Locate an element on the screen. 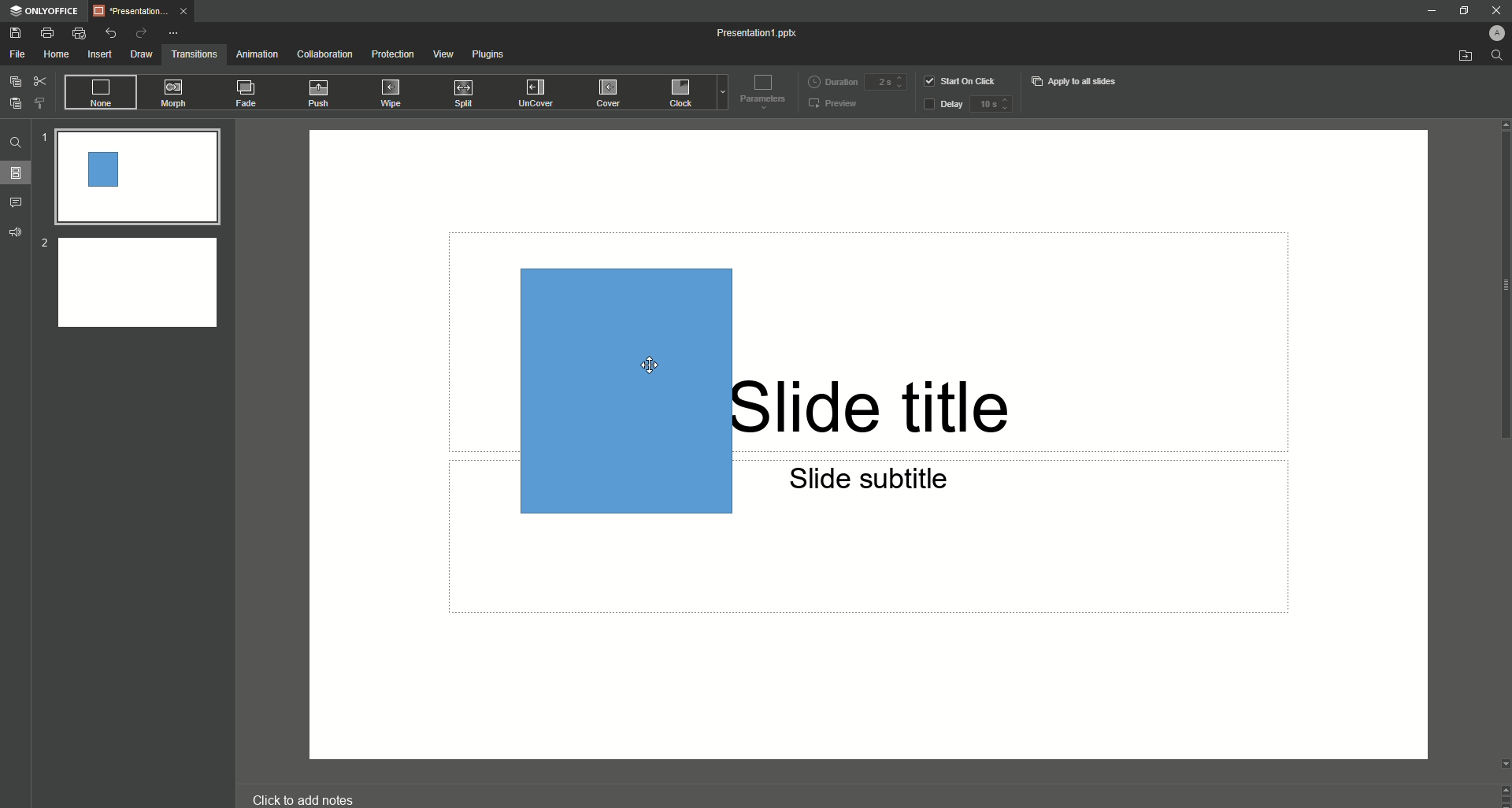 This screenshot has width=1512, height=808. Drop down menu is located at coordinates (719, 93).